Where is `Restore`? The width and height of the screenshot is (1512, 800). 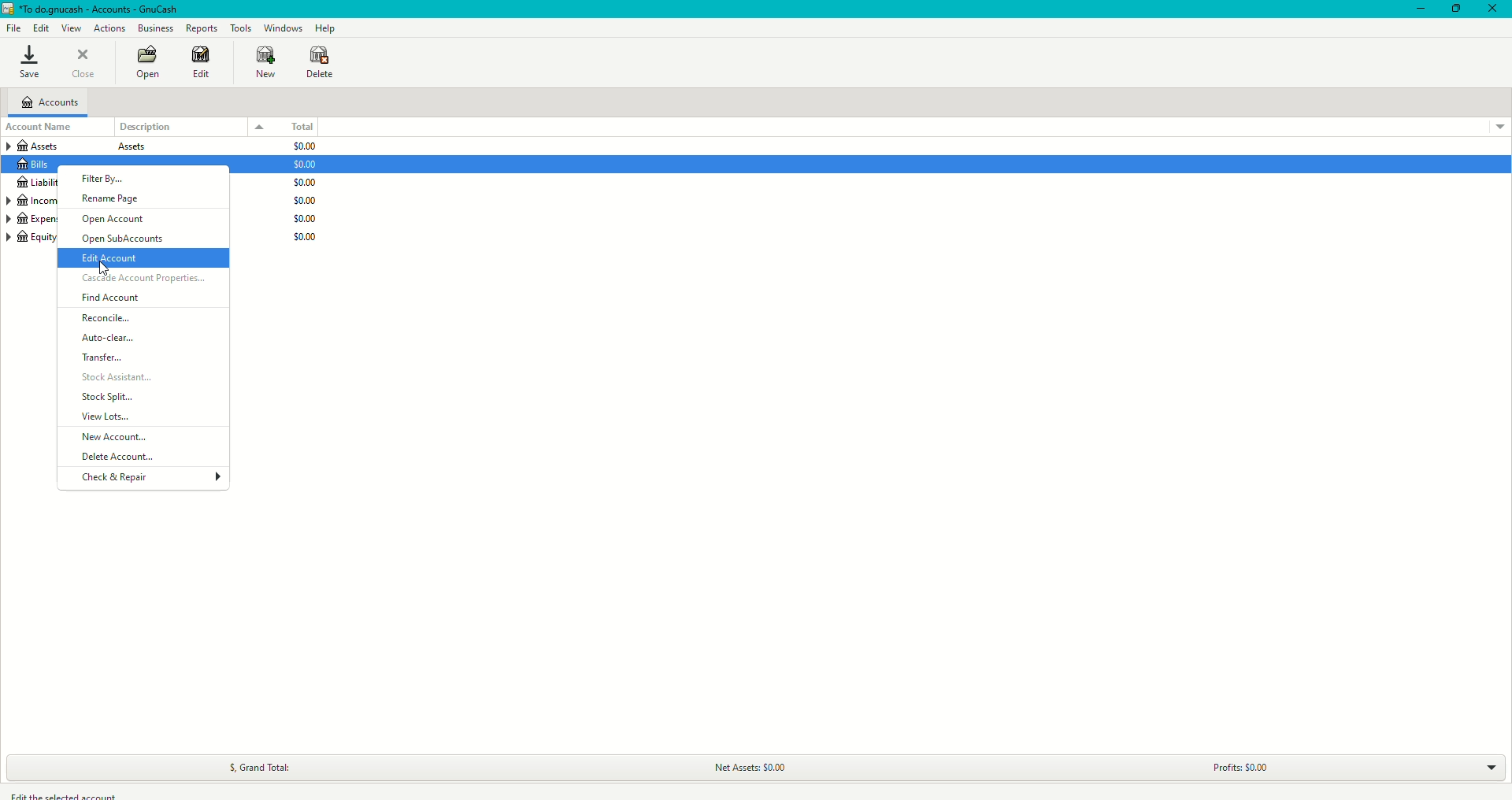 Restore is located at coordinates (1455, 9).